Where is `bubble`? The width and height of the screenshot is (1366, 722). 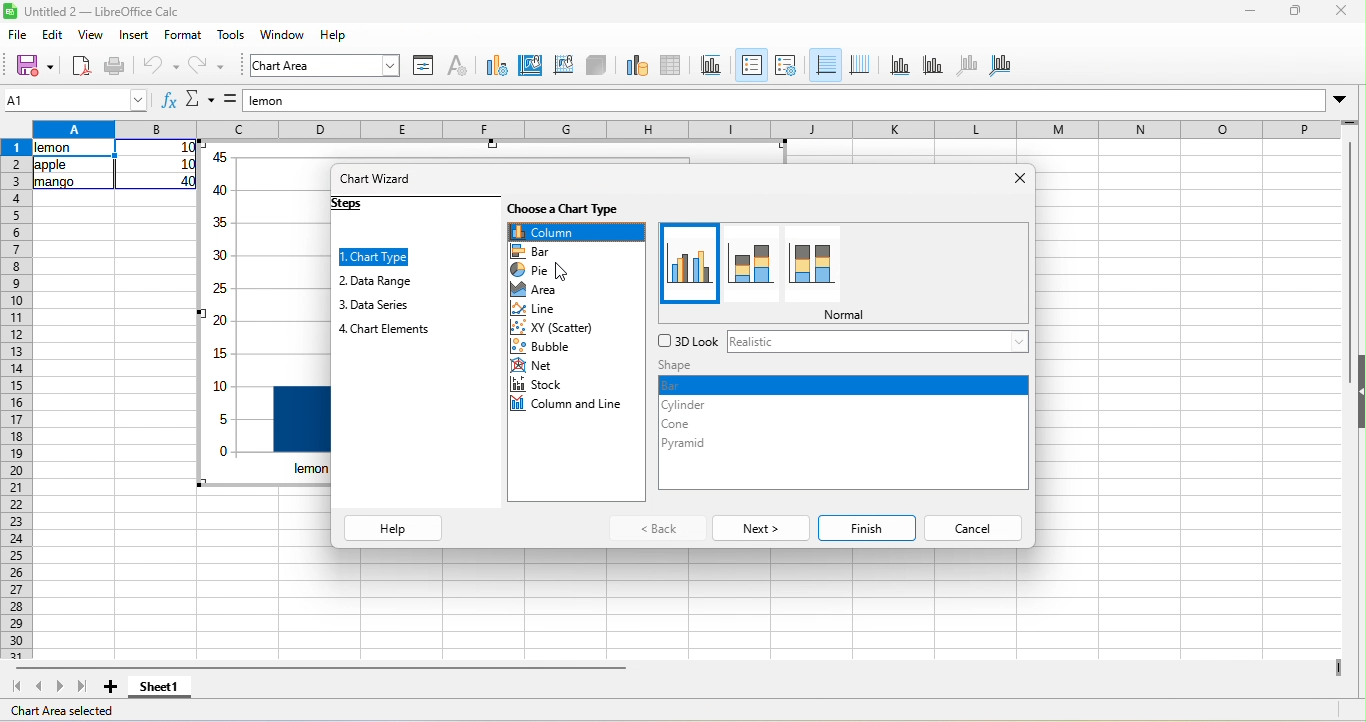 bubble is located at coordinates (555, 346).